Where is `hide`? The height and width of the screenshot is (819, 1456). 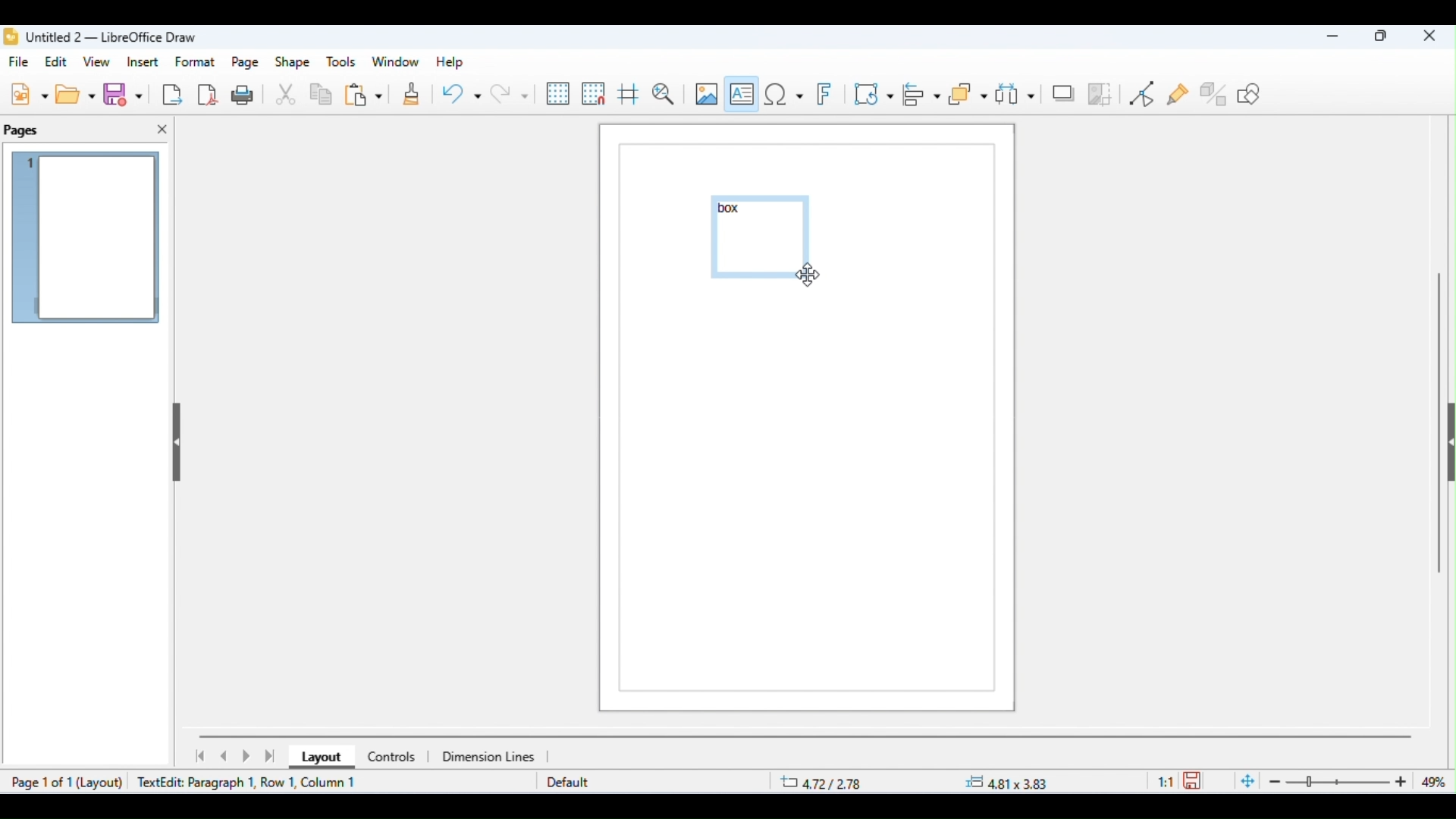 hide is located at coordinates (174, 438).